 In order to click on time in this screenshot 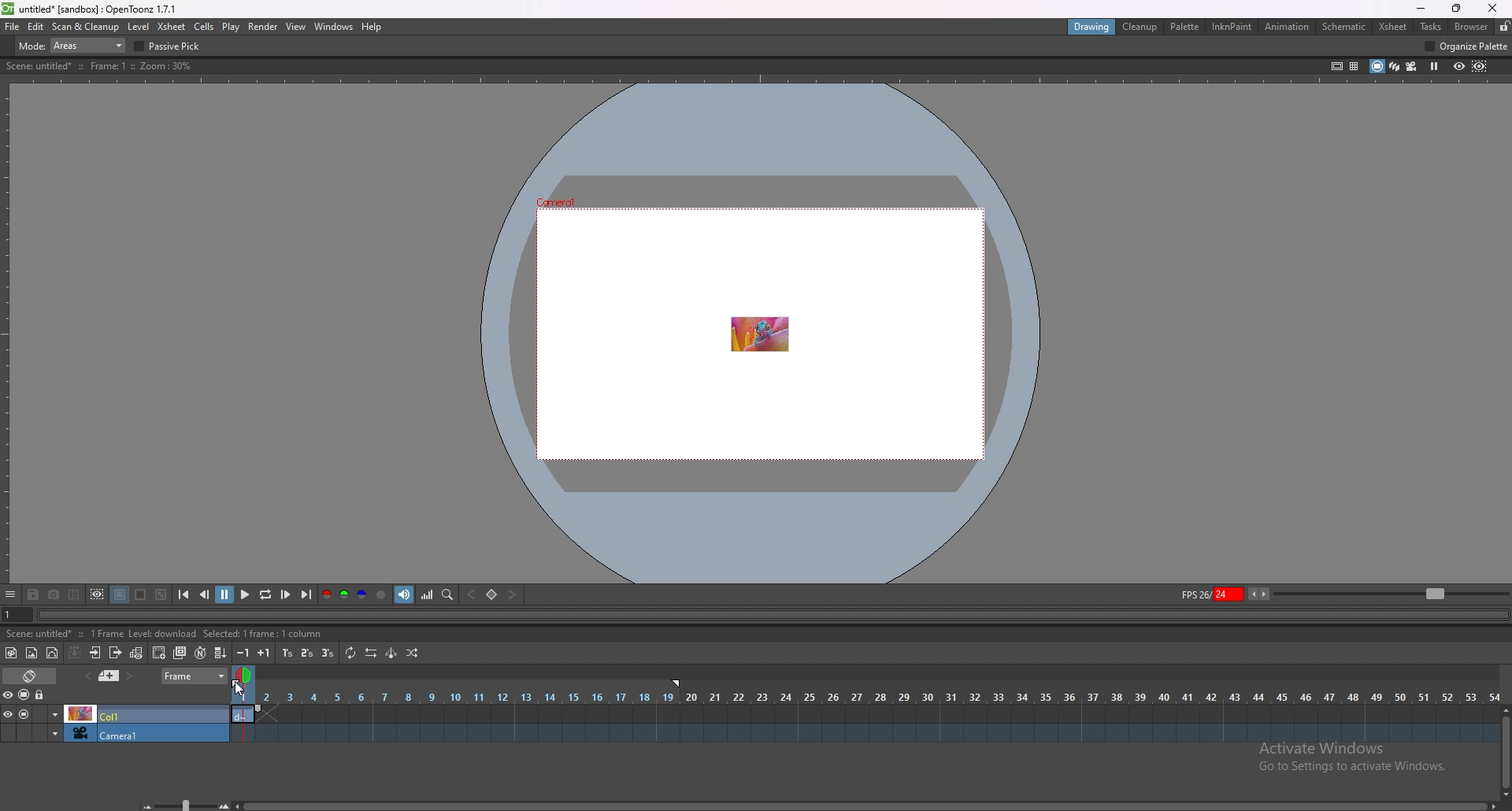, I will do `click(865, 696)`.